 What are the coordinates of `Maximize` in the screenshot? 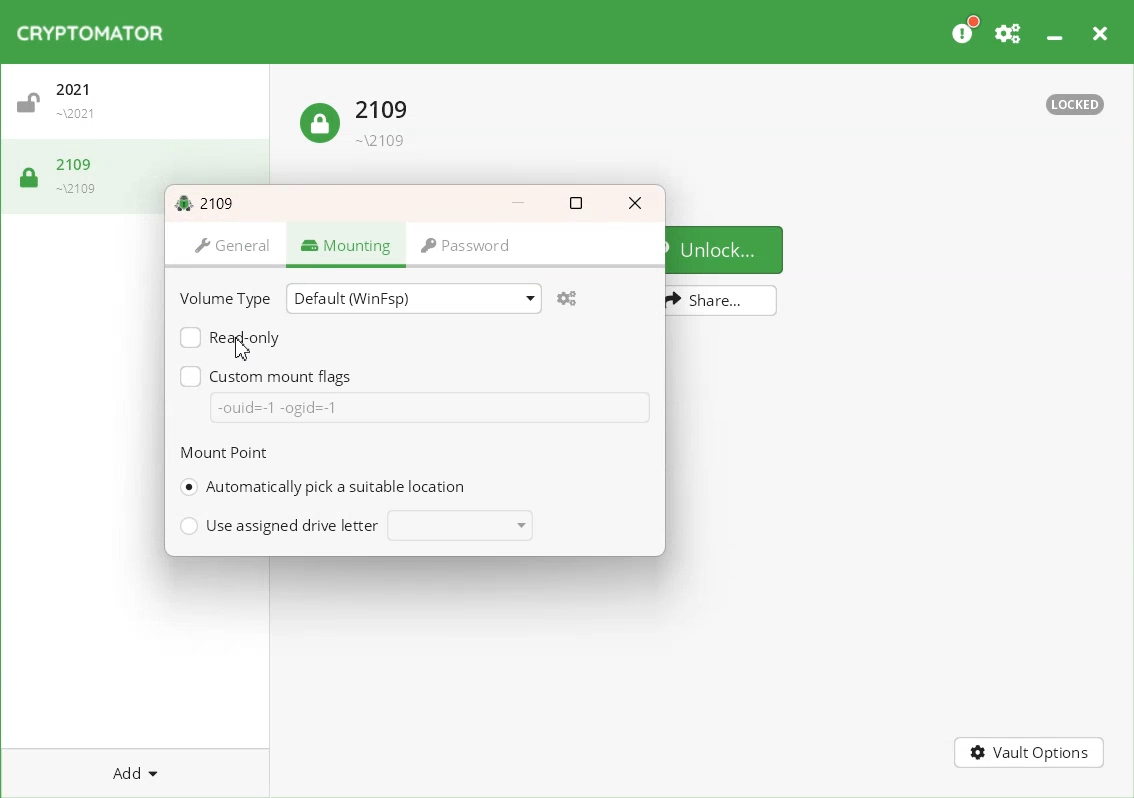 It's located at (577, 203).